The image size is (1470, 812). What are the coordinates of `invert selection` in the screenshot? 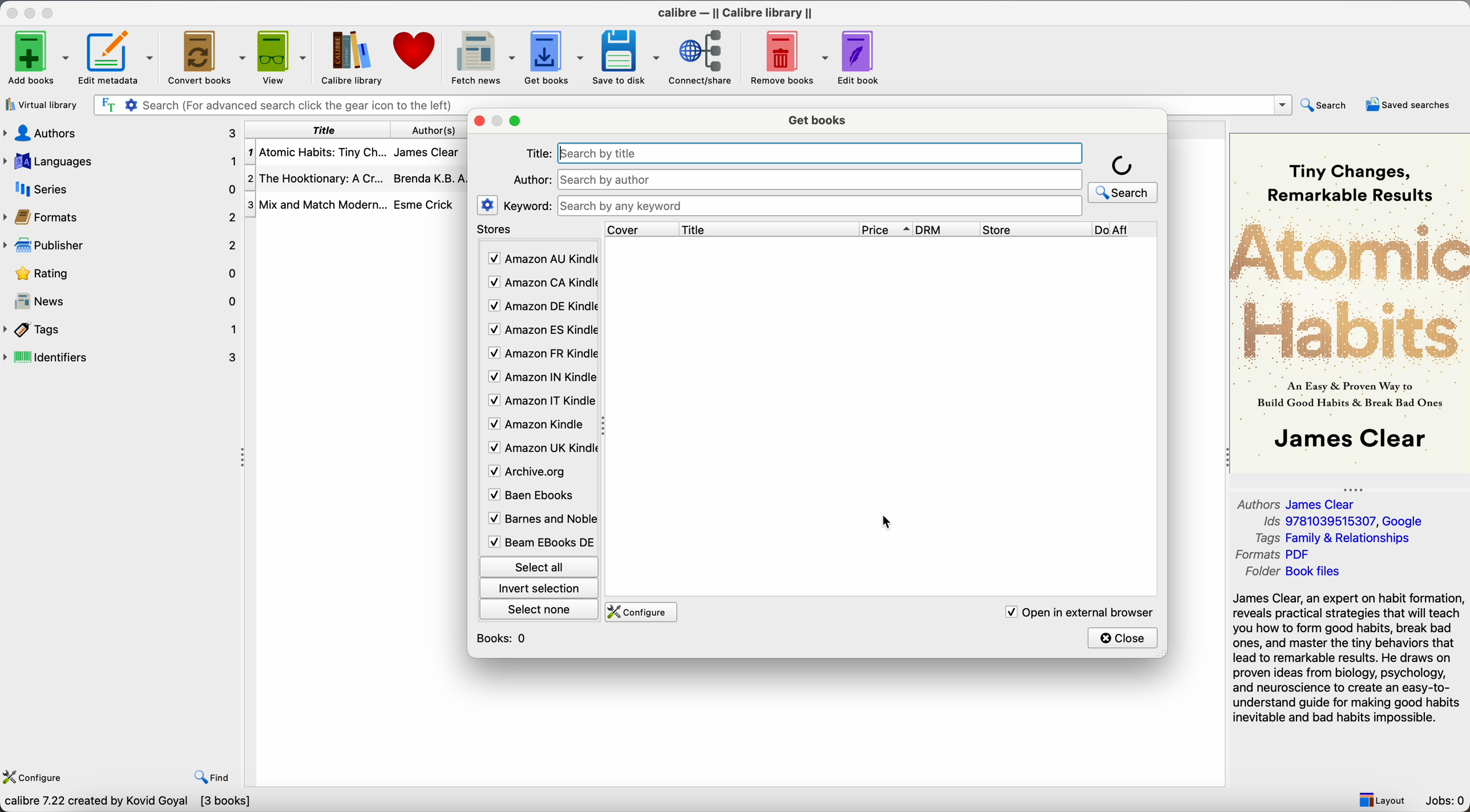 It's located at (539, 589).